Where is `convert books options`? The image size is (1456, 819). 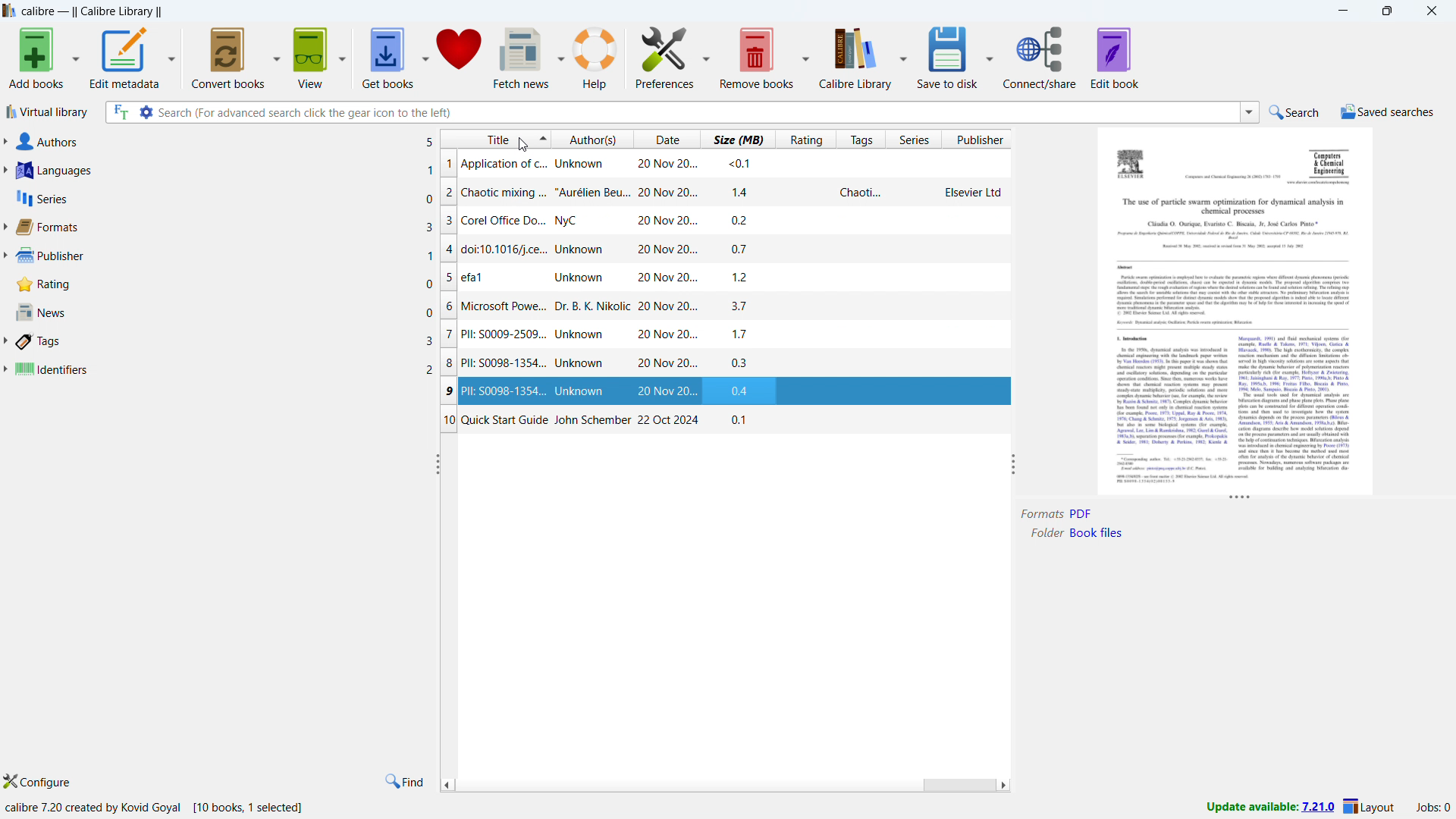 convert books options is located at coordinates (275, 58).